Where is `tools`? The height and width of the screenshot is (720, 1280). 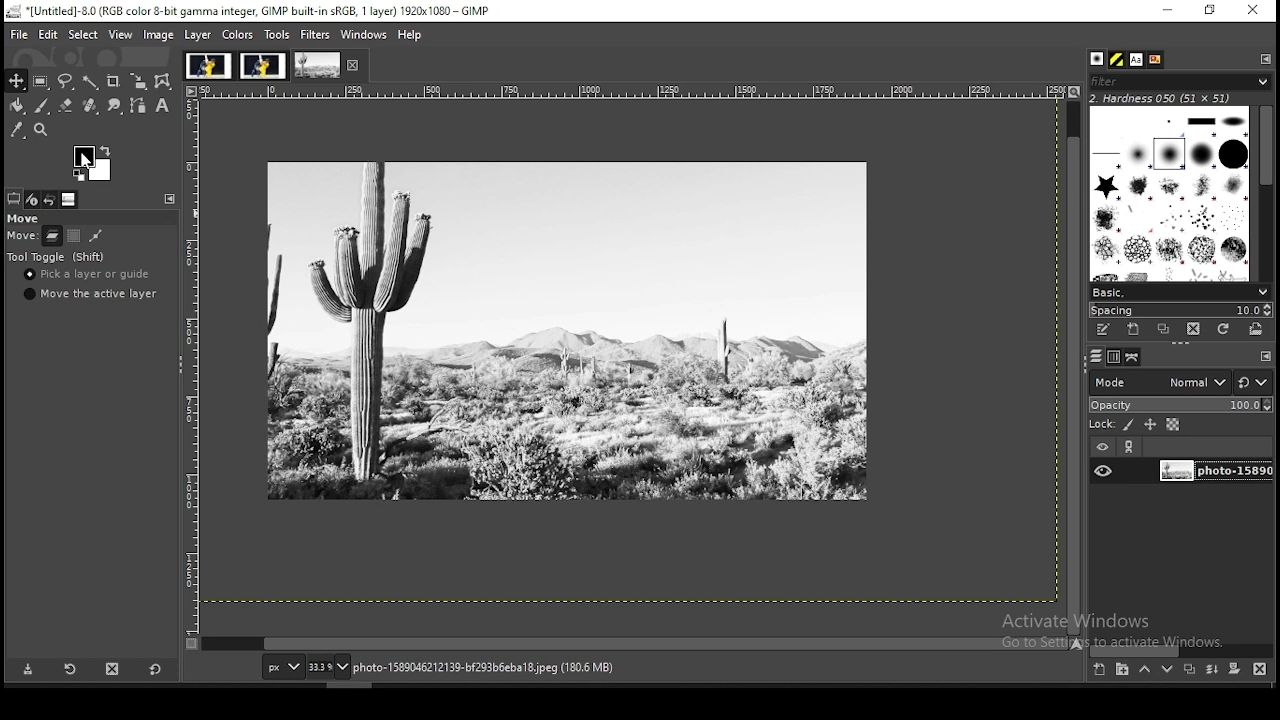 tools is located at coordinates (279, 33).